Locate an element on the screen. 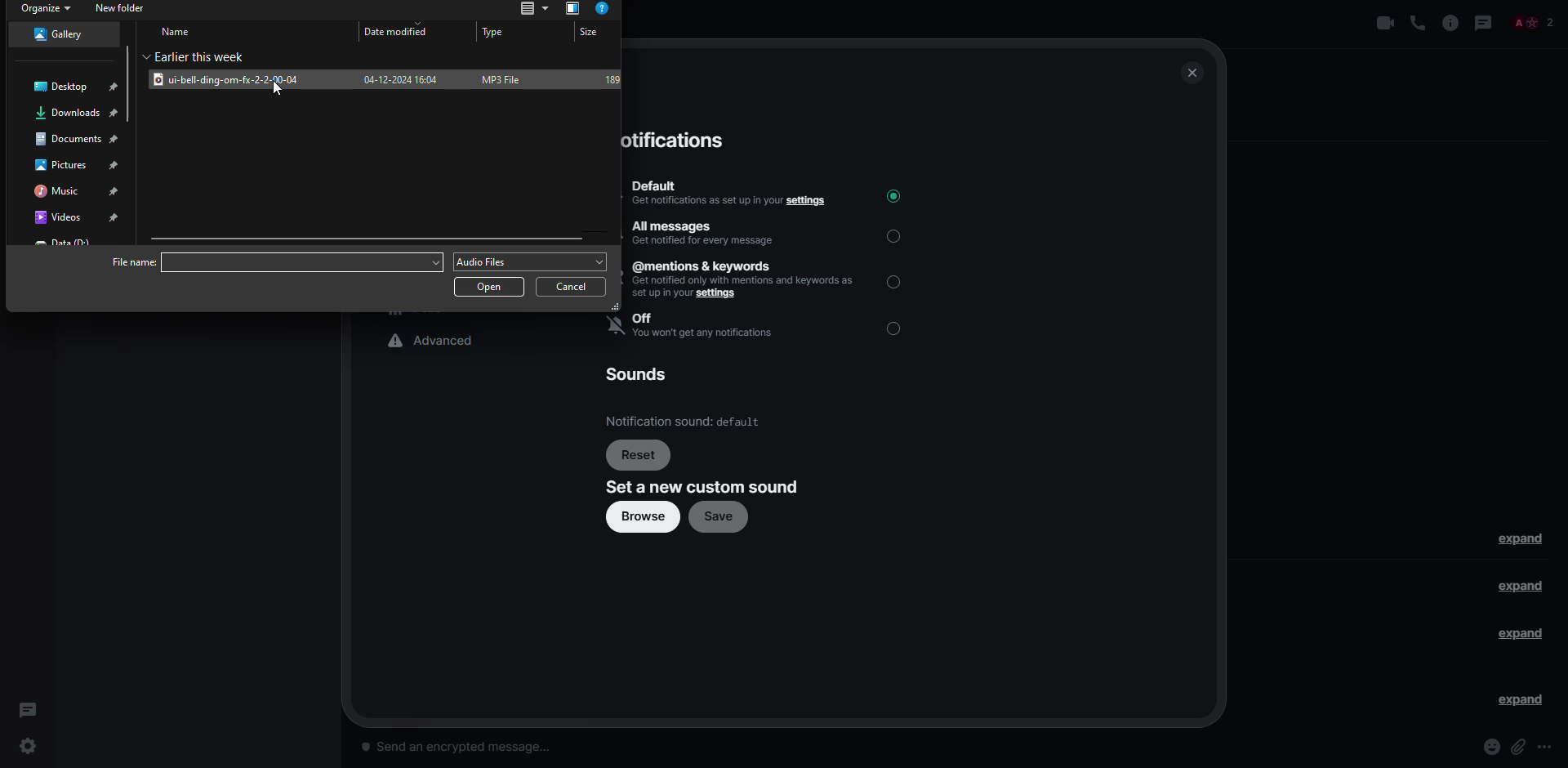 The image size is (1568, 768). notification sound default is located at coordinates (686, 420).